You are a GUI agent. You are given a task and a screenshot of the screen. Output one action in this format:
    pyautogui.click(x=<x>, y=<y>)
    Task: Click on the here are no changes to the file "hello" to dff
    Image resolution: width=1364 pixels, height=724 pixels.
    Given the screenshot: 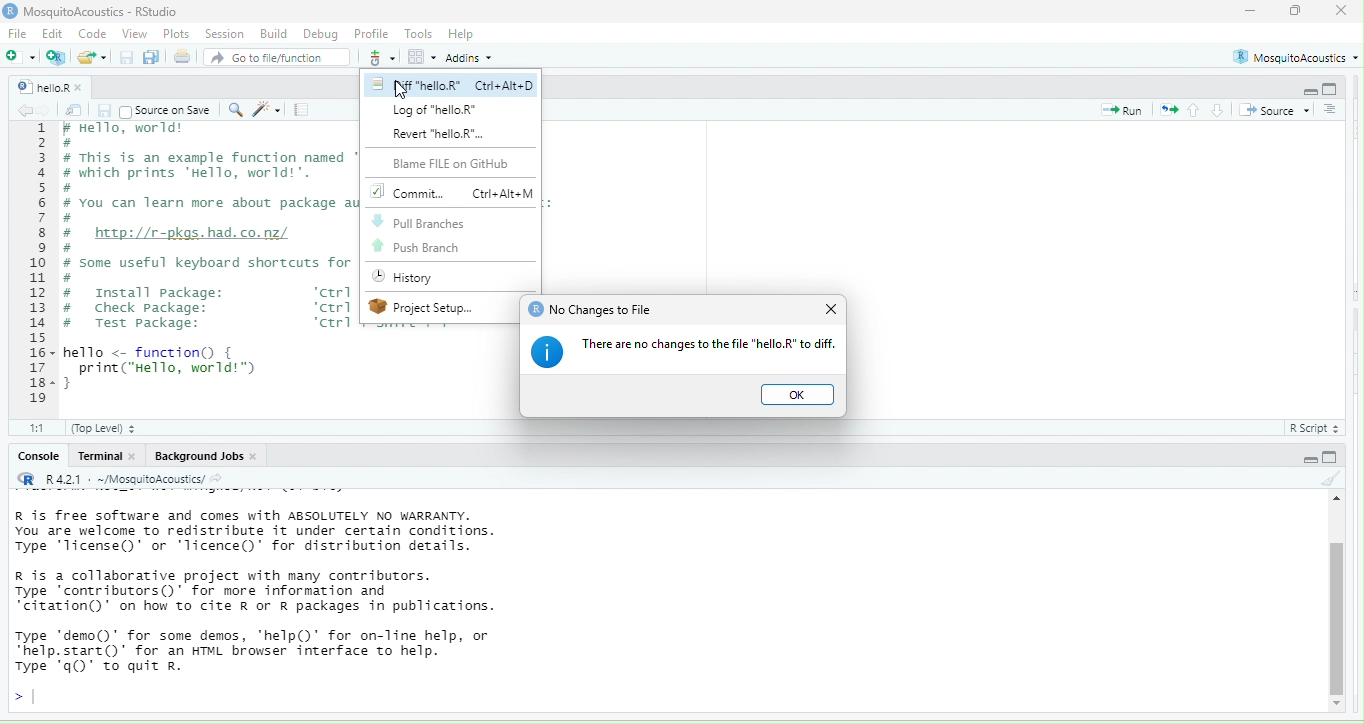 What is the action you would take?
    pyautogui.click(x=706, y=347)
    